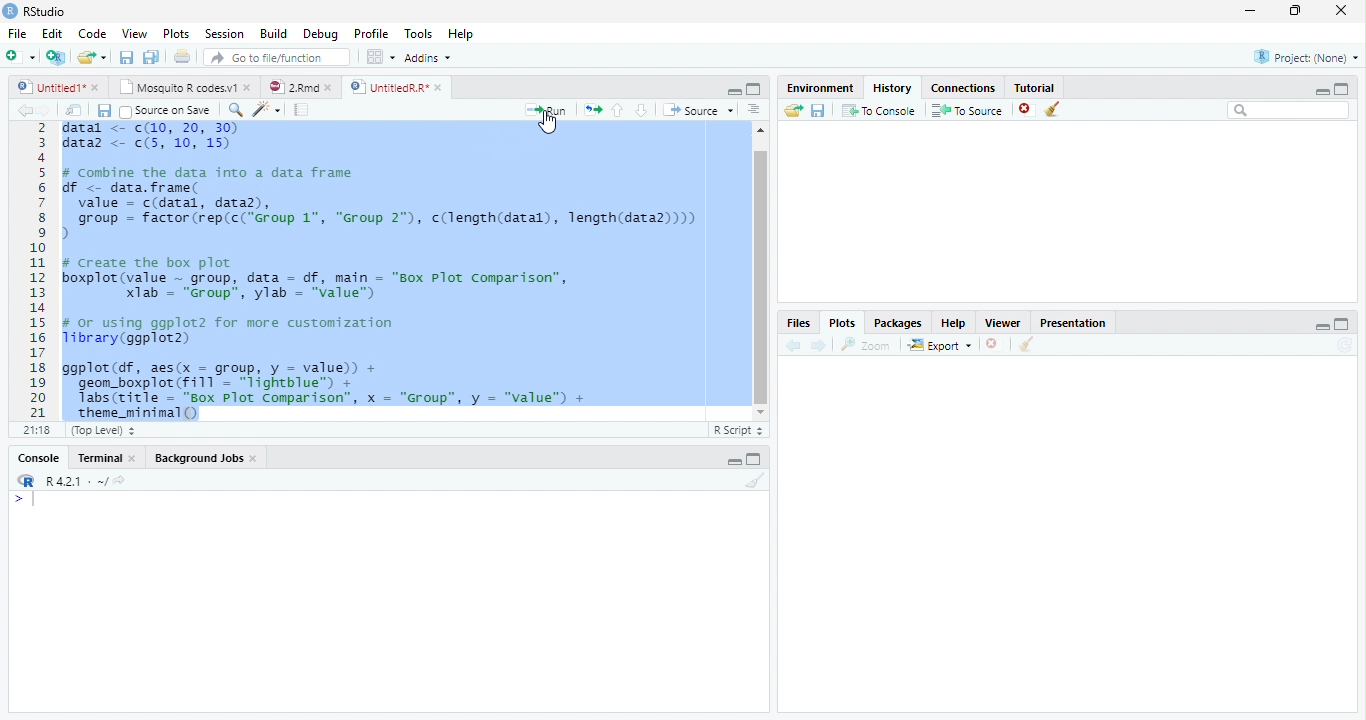 The width and height of the screenshot is (1366, 720). I want to click on Refresh current plot, so click(1345, 346).